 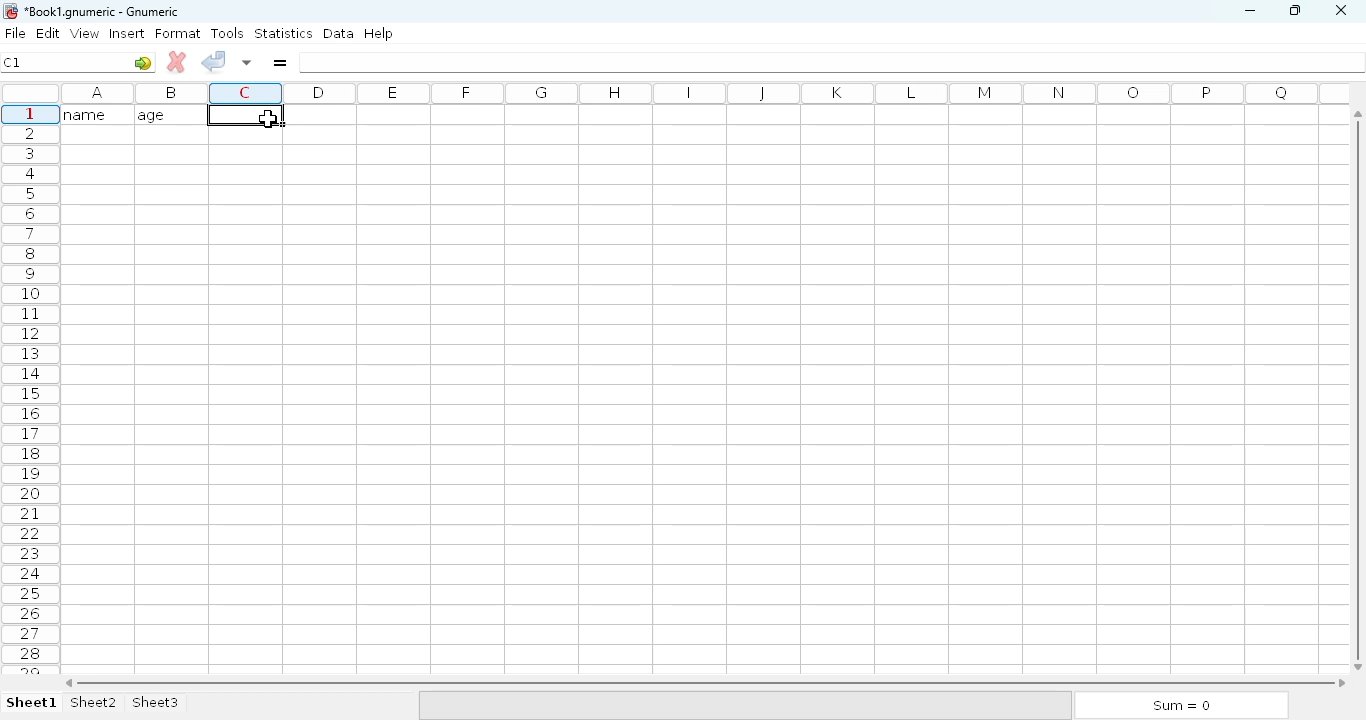 I want to click on edit, so click(x=49, y=33).